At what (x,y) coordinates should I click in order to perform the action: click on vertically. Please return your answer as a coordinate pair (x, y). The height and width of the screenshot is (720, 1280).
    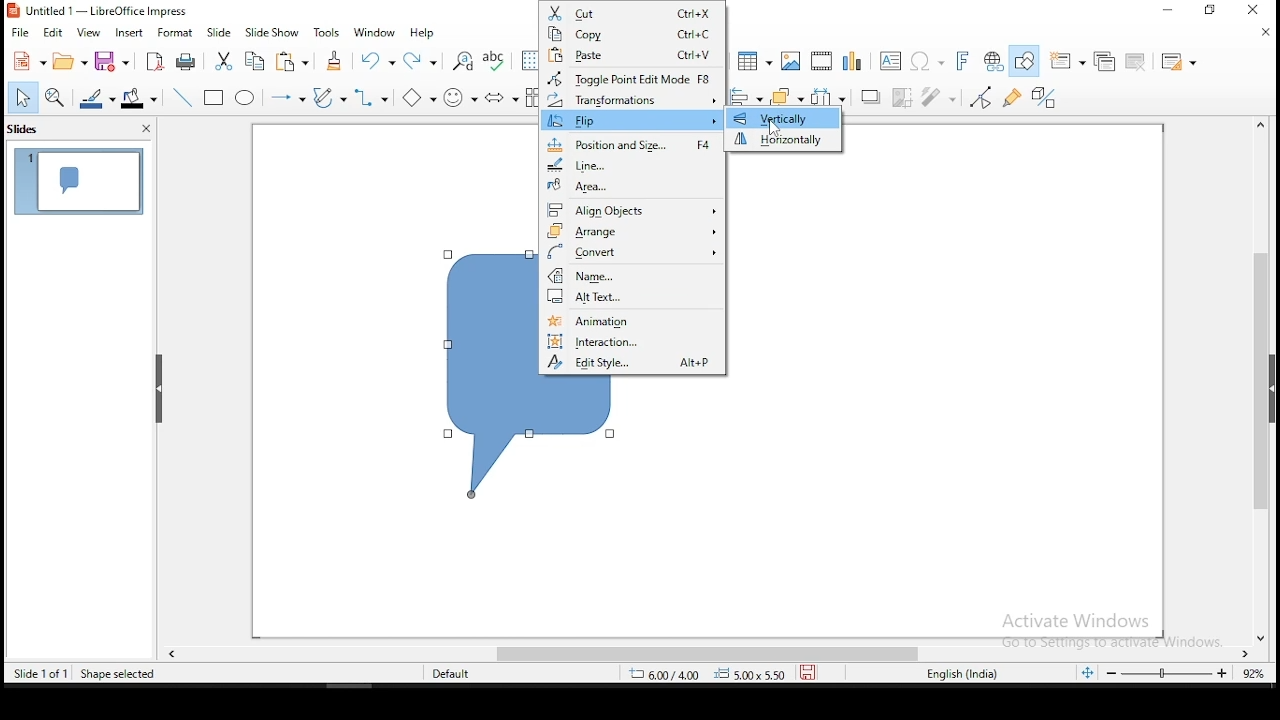
    Looking at the image, I should click on (783, 120).